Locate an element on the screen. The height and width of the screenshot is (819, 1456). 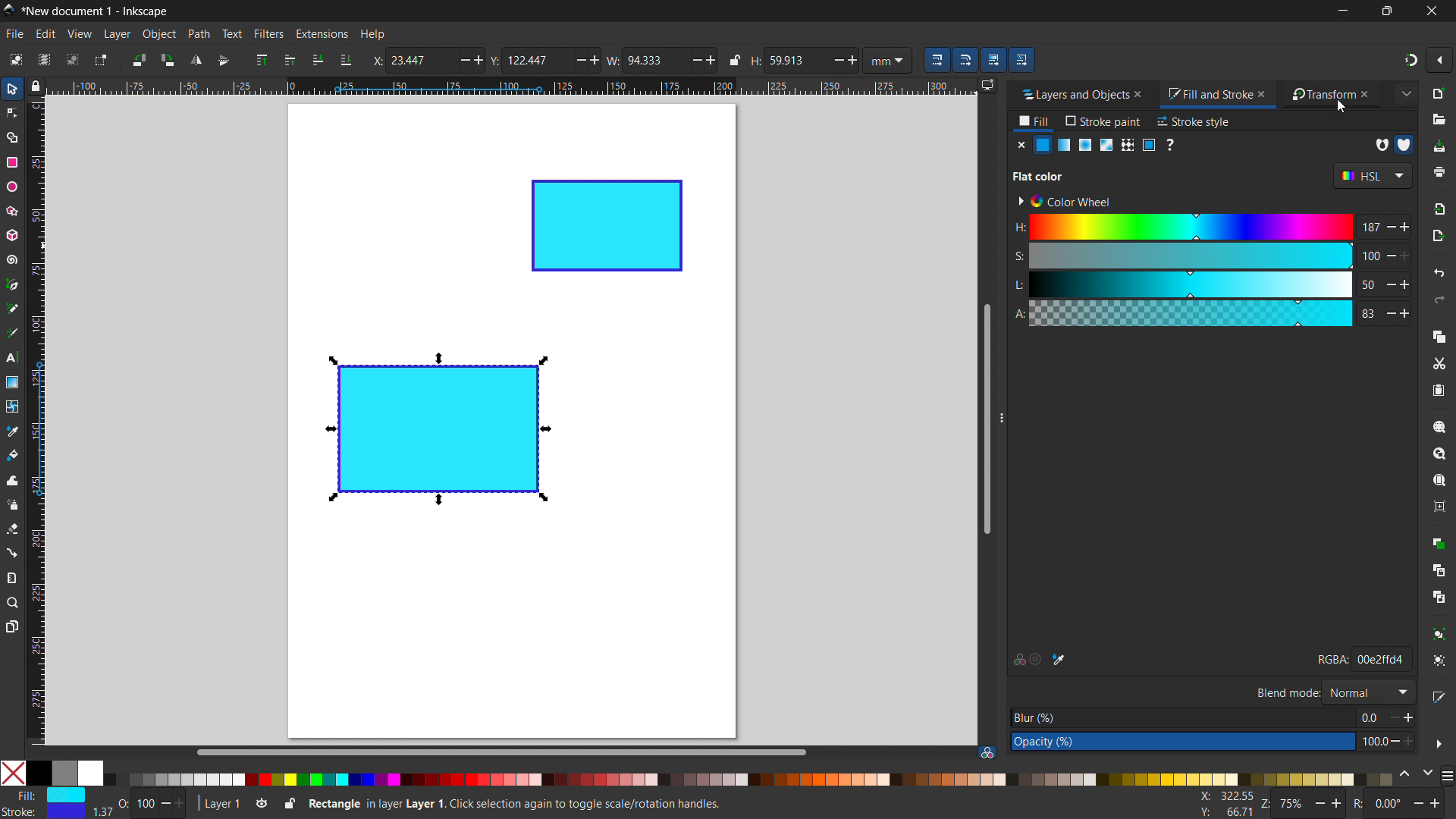
when  locked change height and width proportionally  is located at coordinates (735, 60).